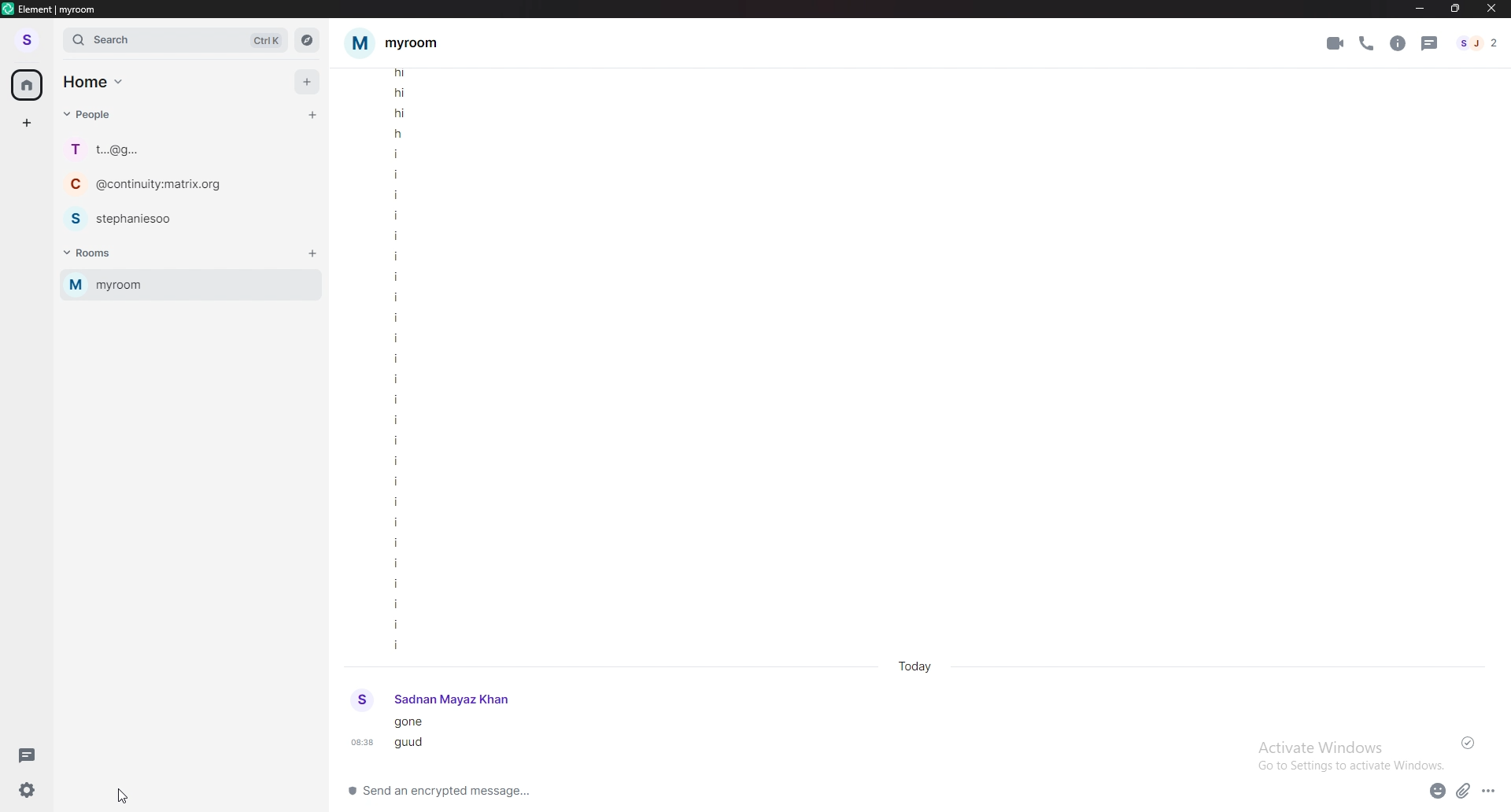 The image size is (1511, 812). What do you see at coordinates (55, 9) in the screenshot?
I see `title` at bounding box center [55, 9].